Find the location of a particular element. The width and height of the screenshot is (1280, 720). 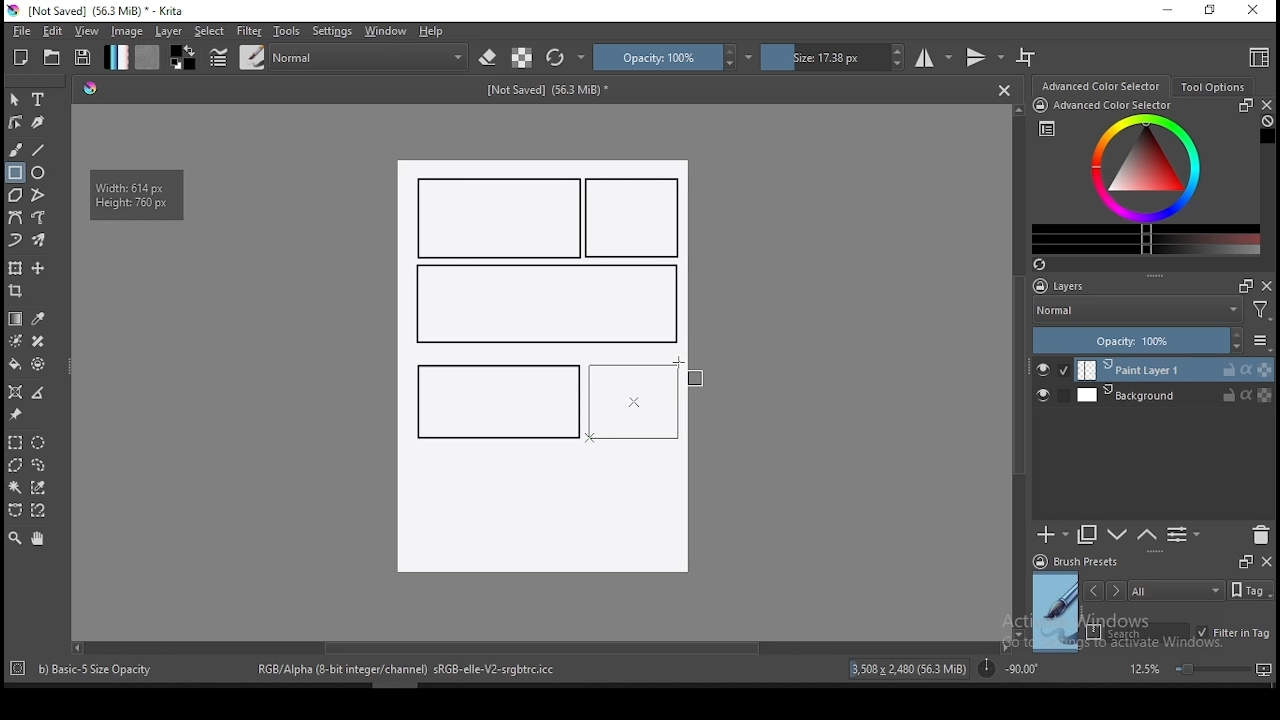

preserve alpha is located at coordinates (522, 59).